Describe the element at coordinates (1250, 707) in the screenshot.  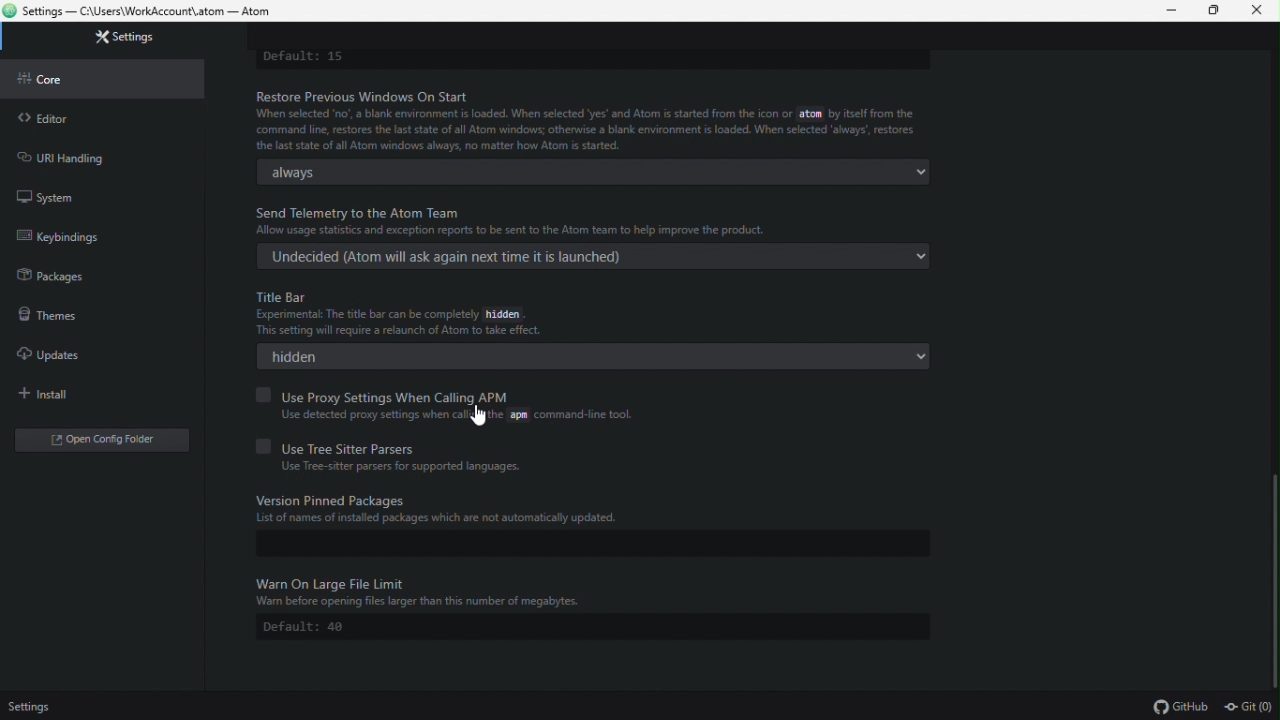
I see `git` at that location.